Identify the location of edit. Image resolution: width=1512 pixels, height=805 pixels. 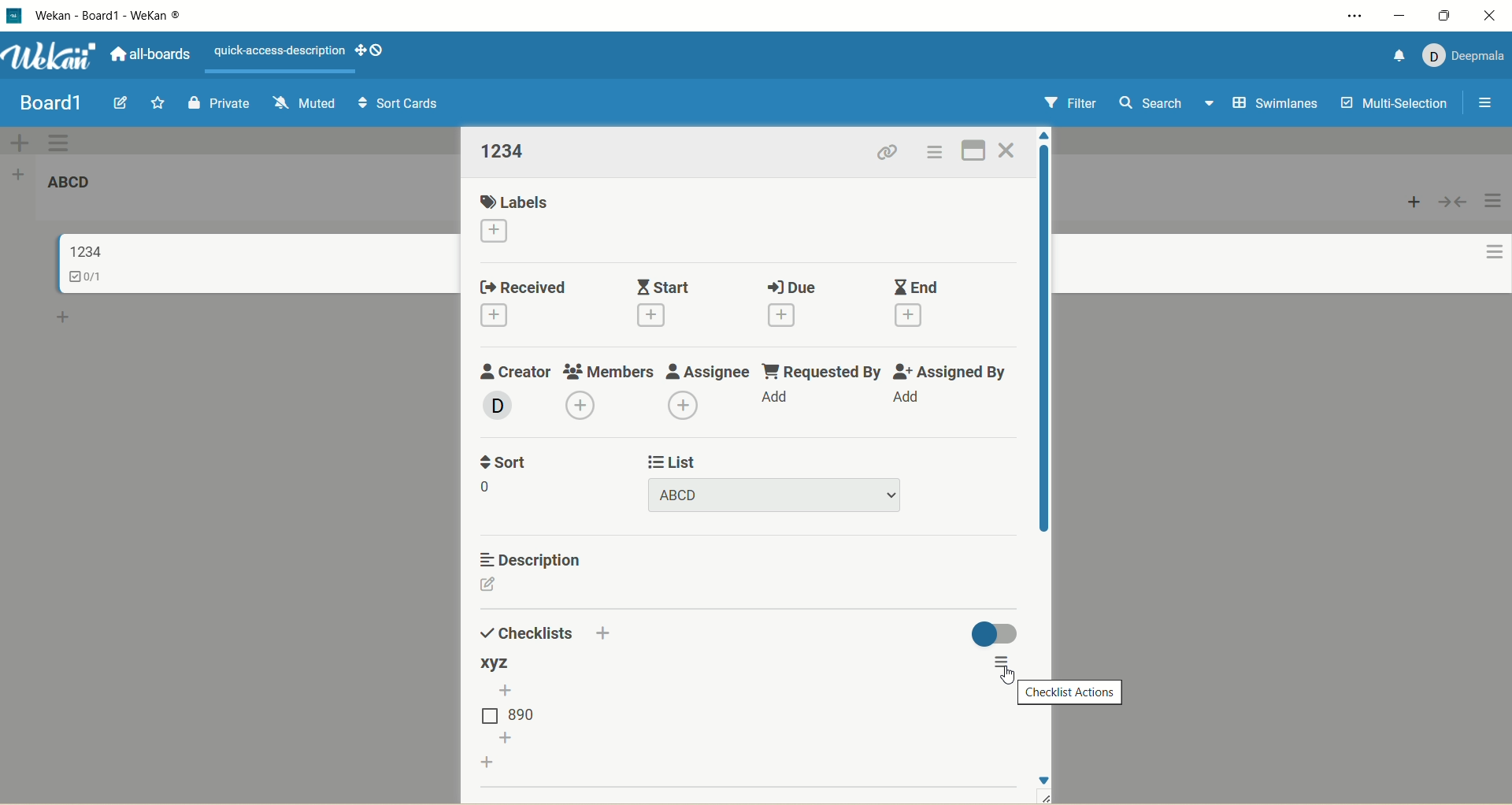
(491, 587).